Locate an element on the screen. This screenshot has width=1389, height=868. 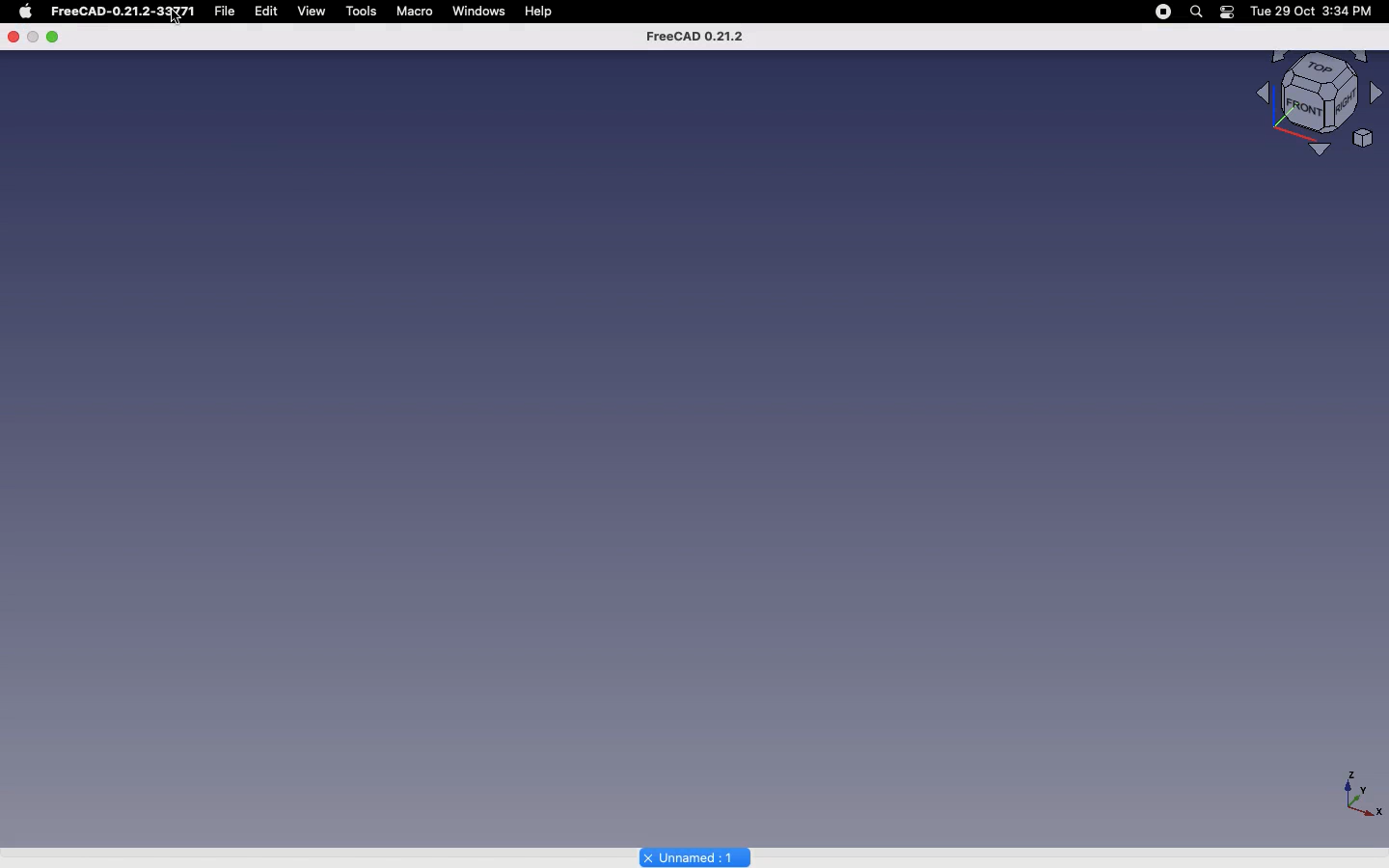
search is located at coordinates (1195, 12).